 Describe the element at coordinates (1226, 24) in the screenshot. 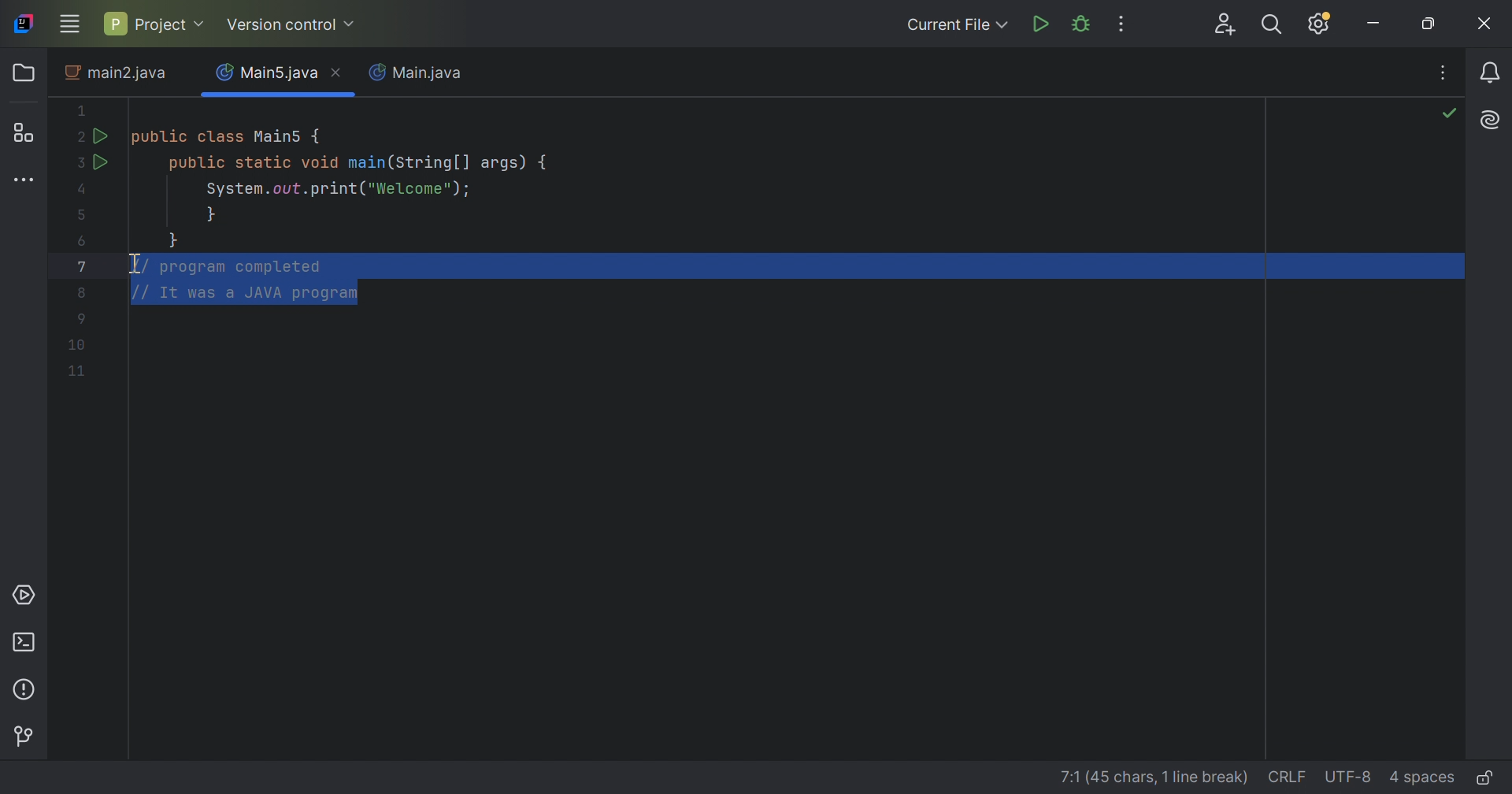

I see `Code with me` at that location.